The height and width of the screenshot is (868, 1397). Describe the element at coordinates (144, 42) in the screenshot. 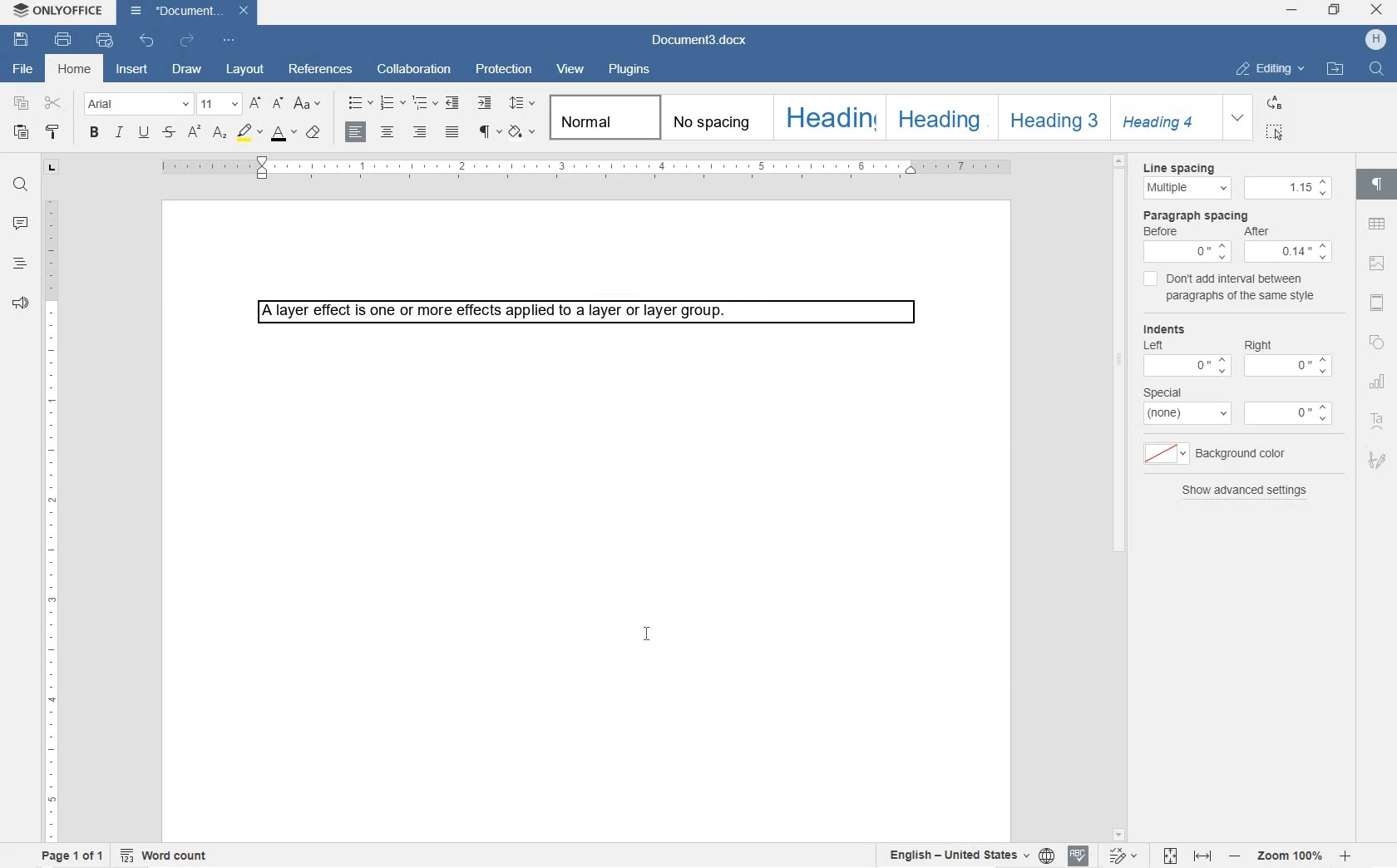

I see `UNDO` at that location.